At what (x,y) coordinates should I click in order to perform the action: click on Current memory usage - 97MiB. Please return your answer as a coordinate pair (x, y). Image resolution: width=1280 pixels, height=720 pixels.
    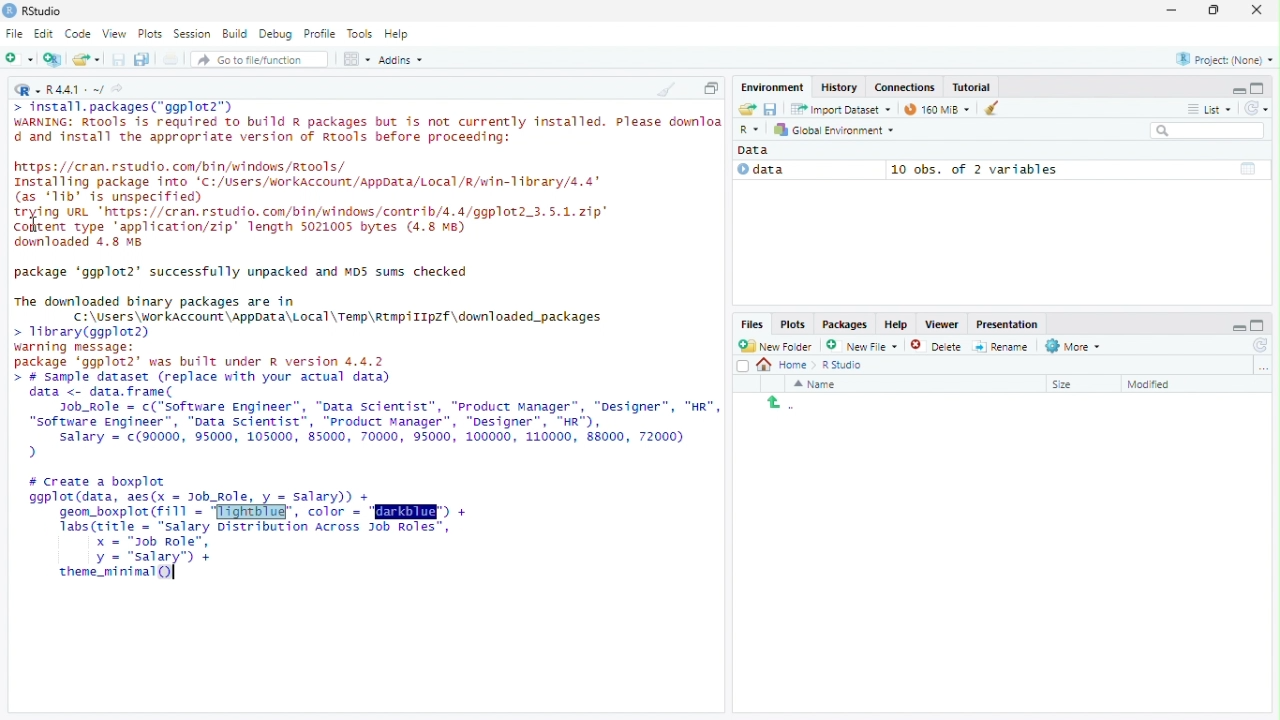
    Looking at the image, I should click on (932, 109).